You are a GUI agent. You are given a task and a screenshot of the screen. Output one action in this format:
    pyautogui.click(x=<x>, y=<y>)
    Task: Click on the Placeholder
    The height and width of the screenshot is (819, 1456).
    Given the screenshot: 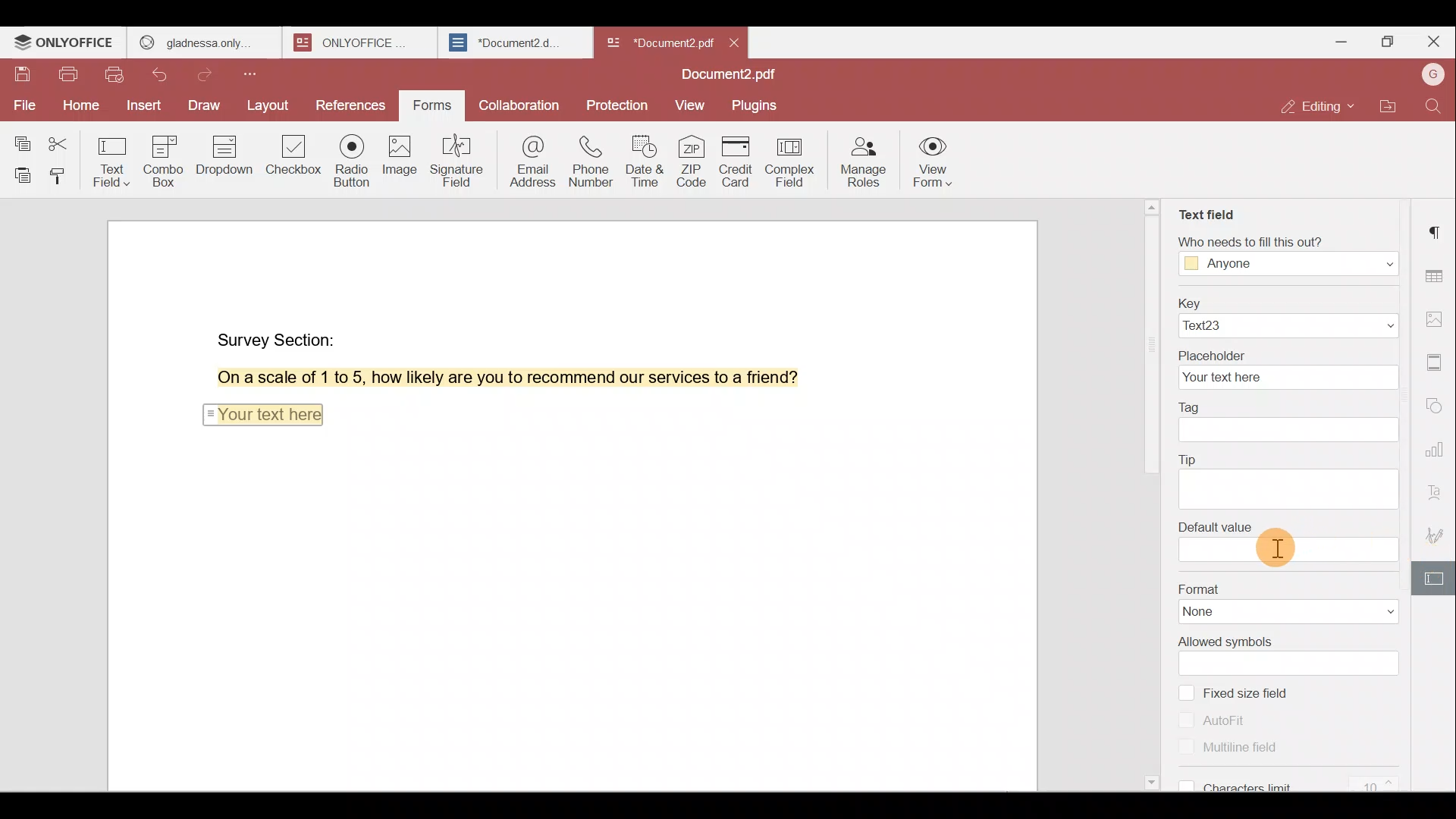 What is the action you would take?
    pyautogui.click(x=1287, y=369)
    